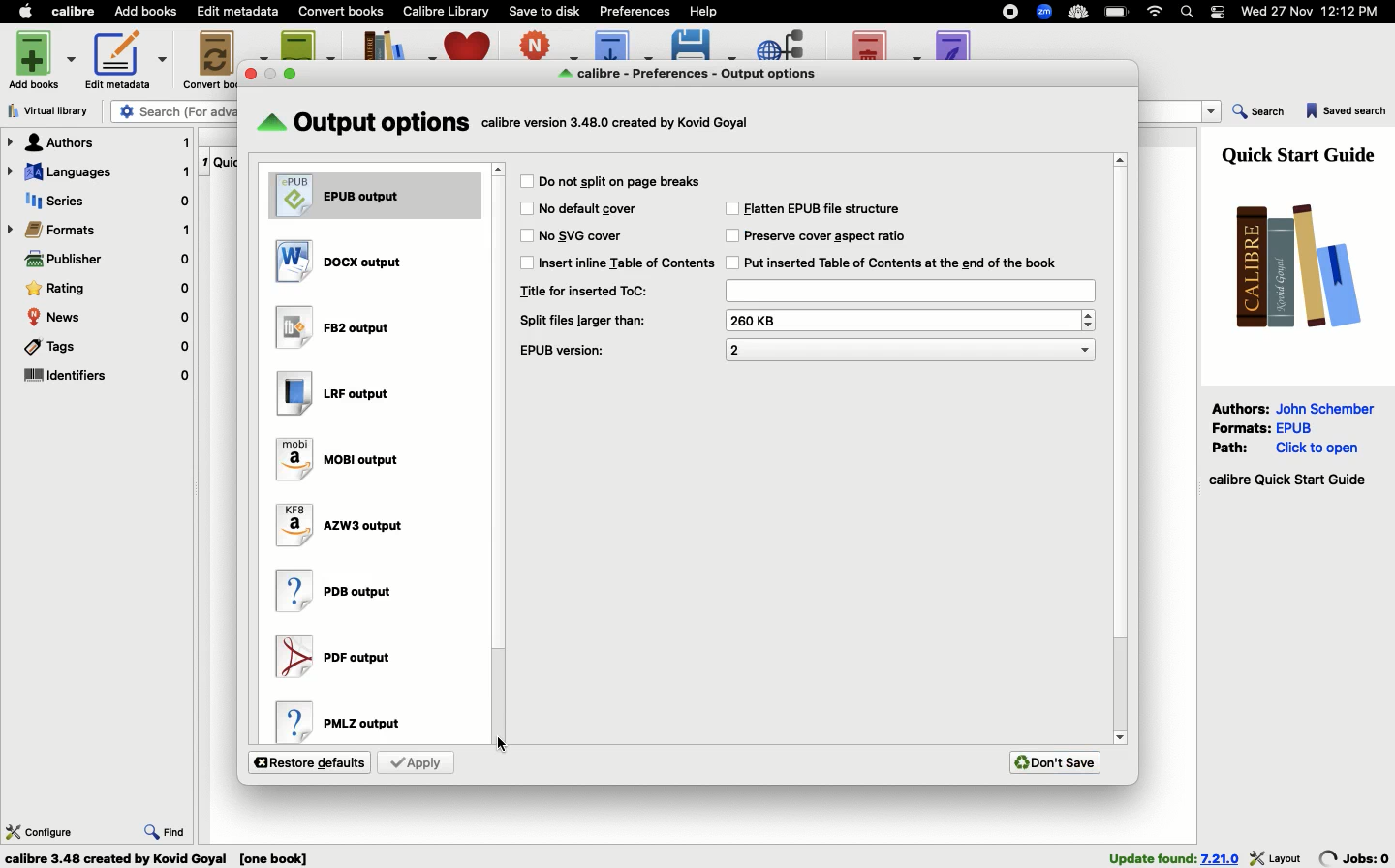 The image size is (1395, 868). I want to click on Rating, so click(108, 289).